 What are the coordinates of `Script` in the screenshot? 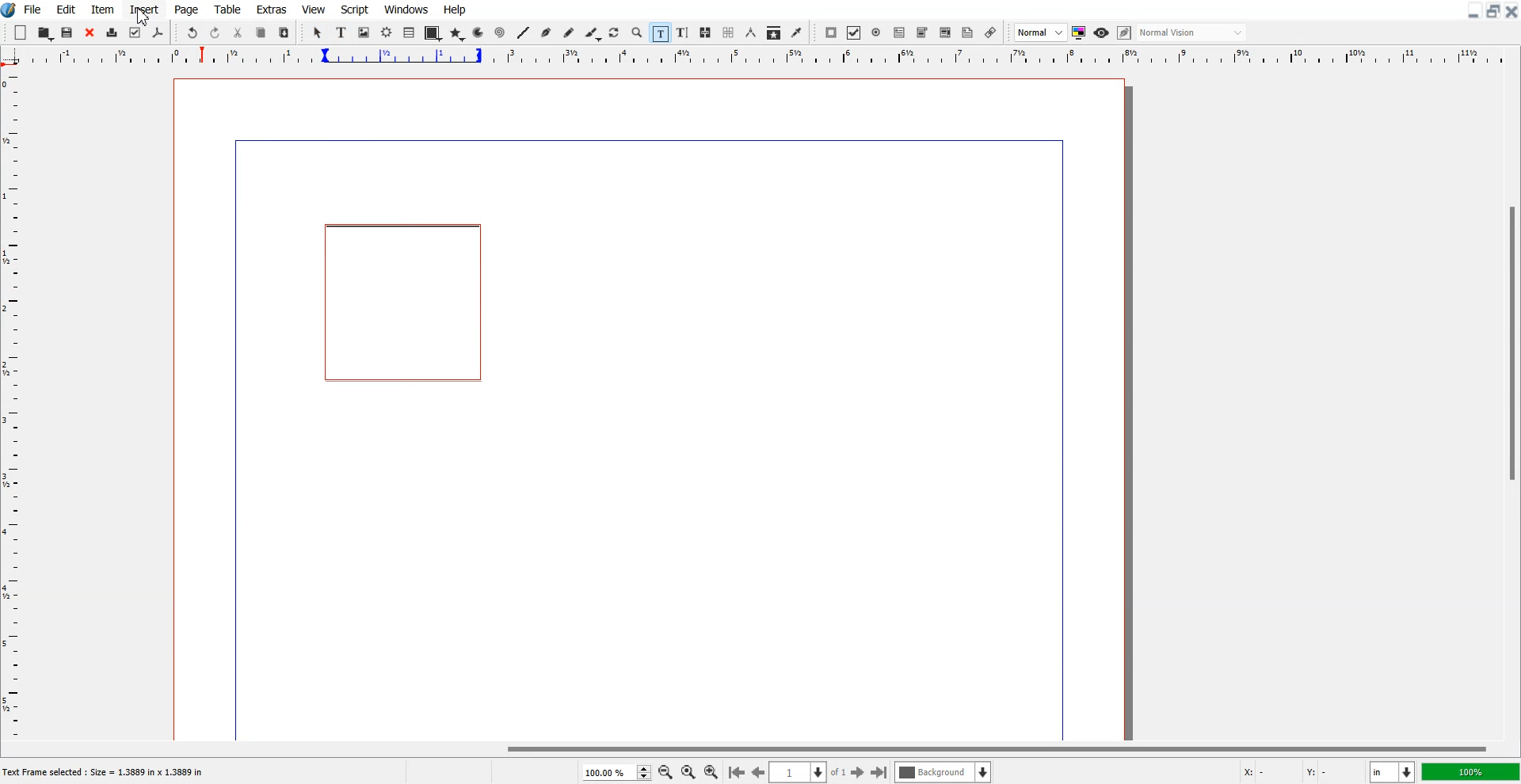 It's located at (355, 9).